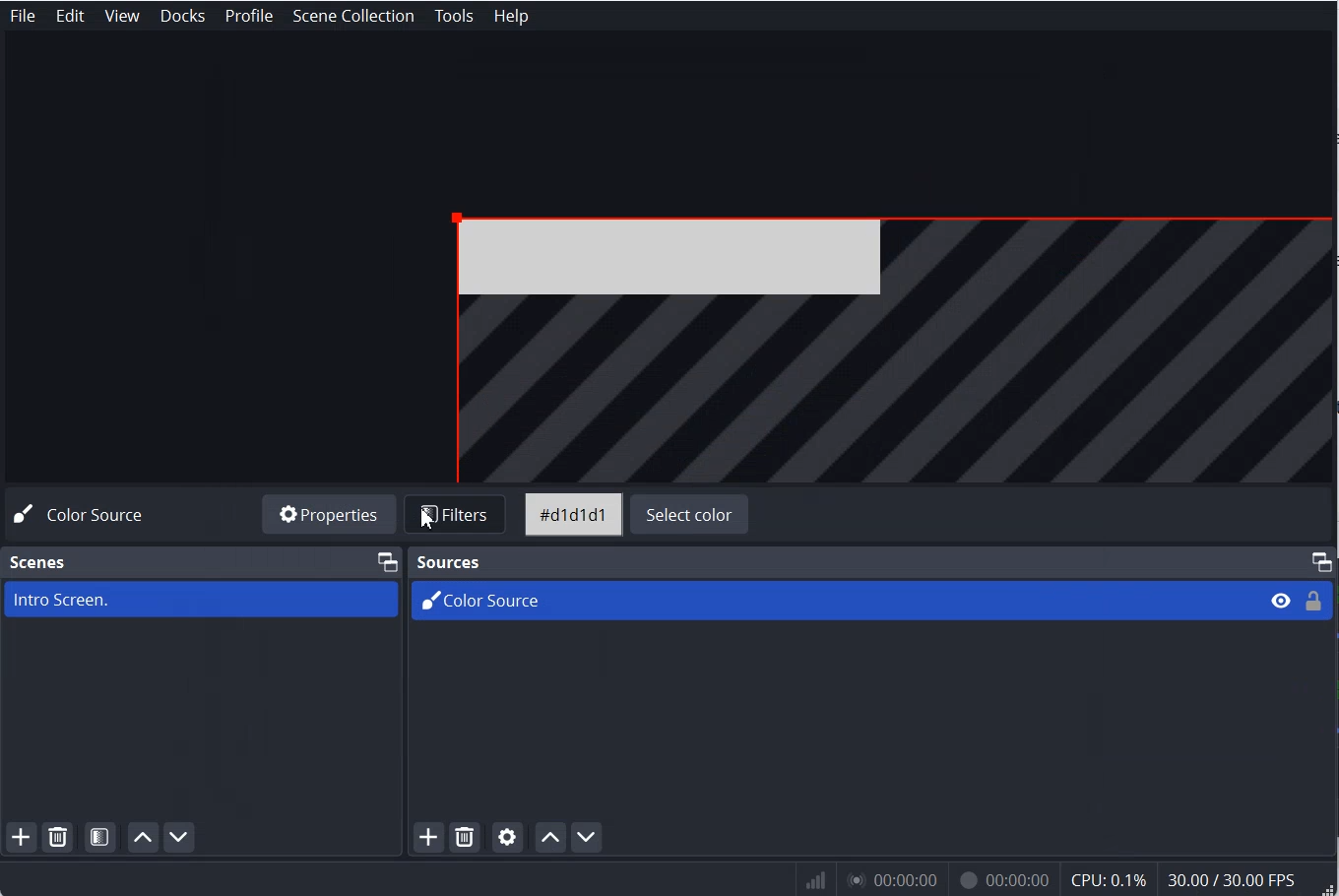 The image size is (1339, 896). I want to click on Move Scene Up, so click(141, 839).